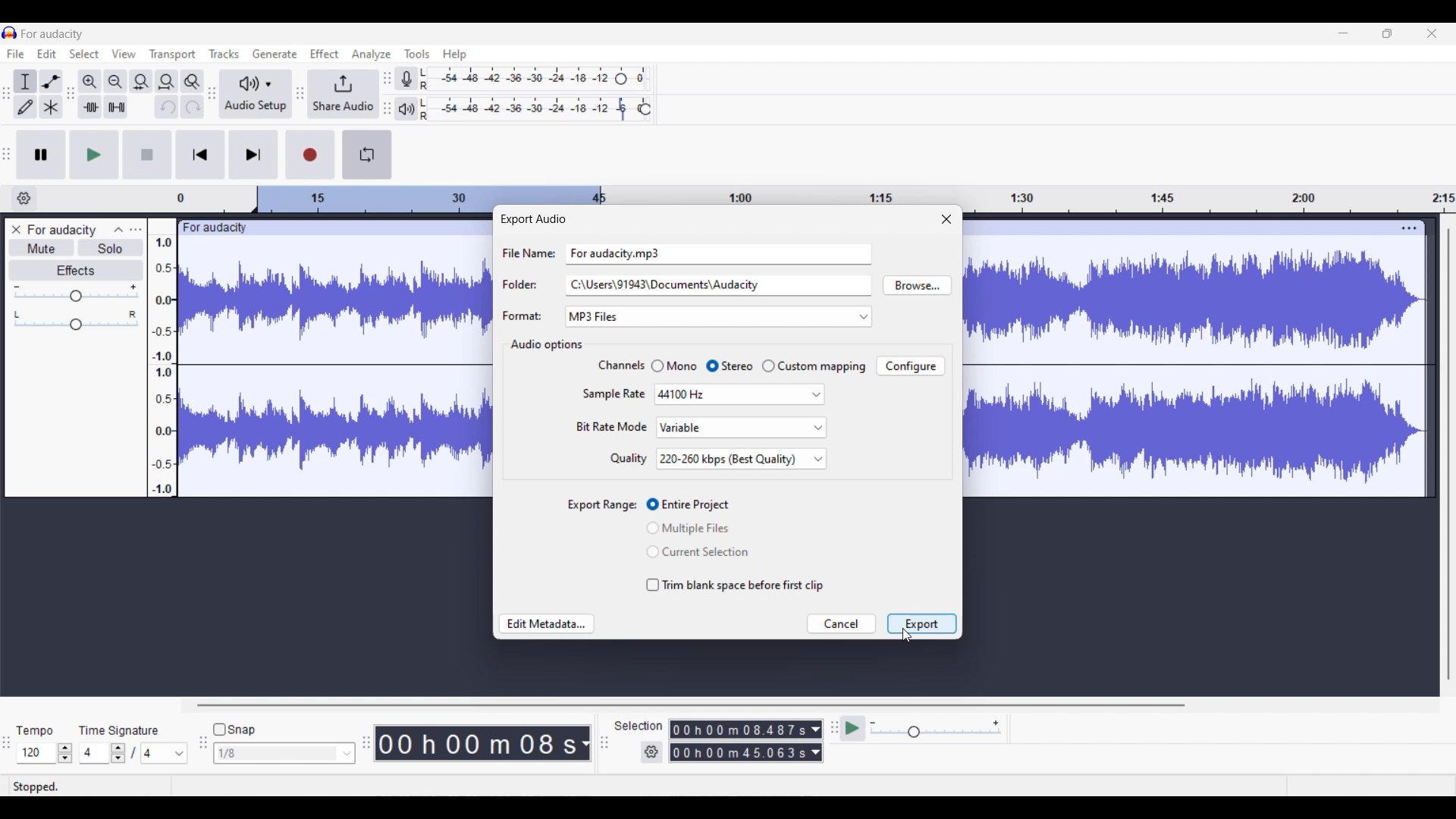 The width and height of the screenshot is (1456, 819). Describe the element at coordinates (136, 229) in the screenshot. I see `Open menu` at that location.